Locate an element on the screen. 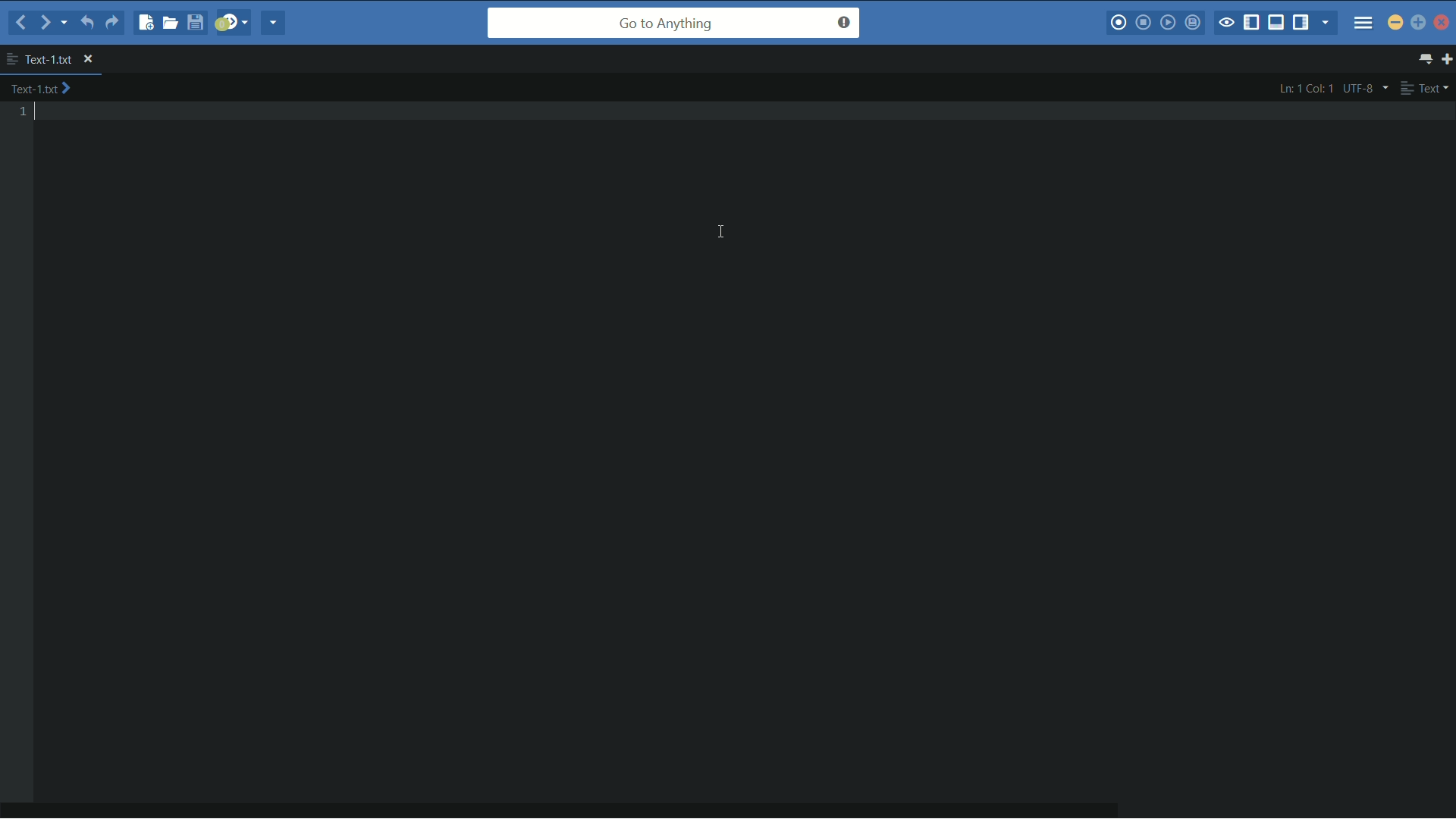 The width and height of the screenshot is (1456, 819). menu is located at coordinates (1363, 18).